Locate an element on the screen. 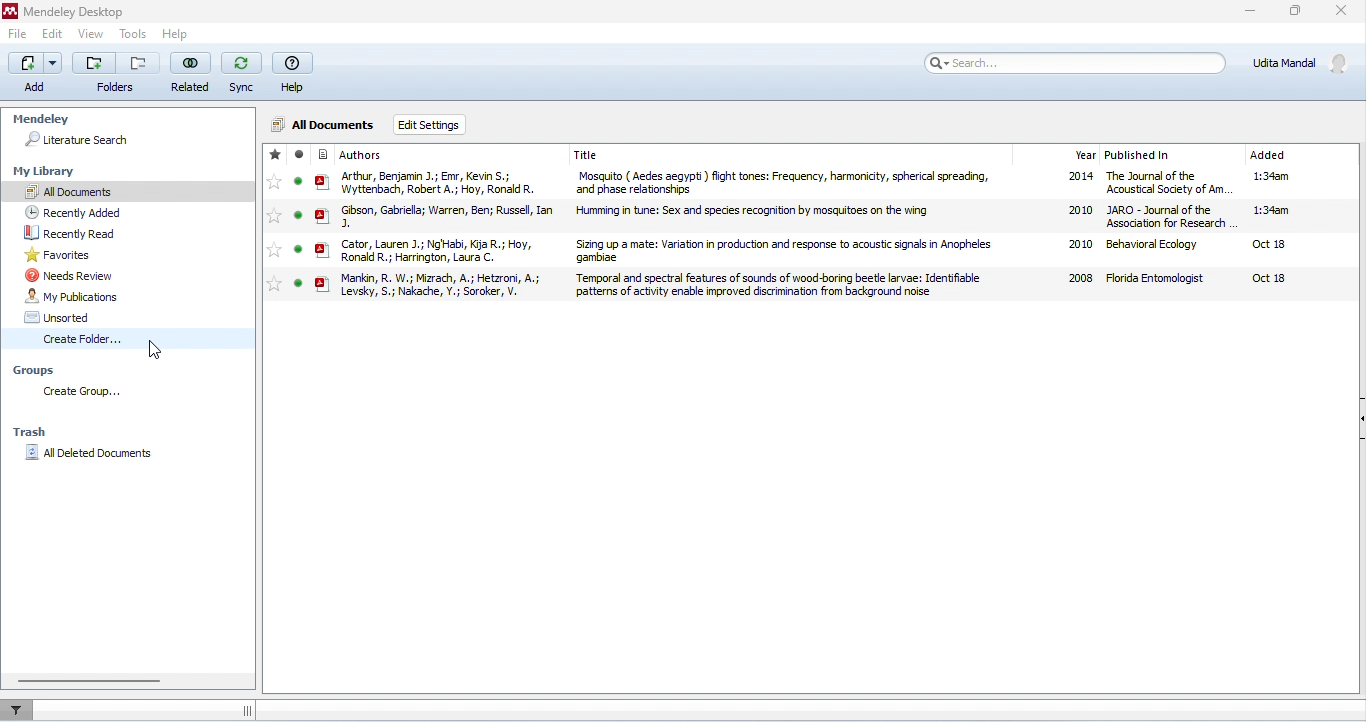 This screenshot has height=722, width=1366. mark as read is located at coordinates (300, 183).